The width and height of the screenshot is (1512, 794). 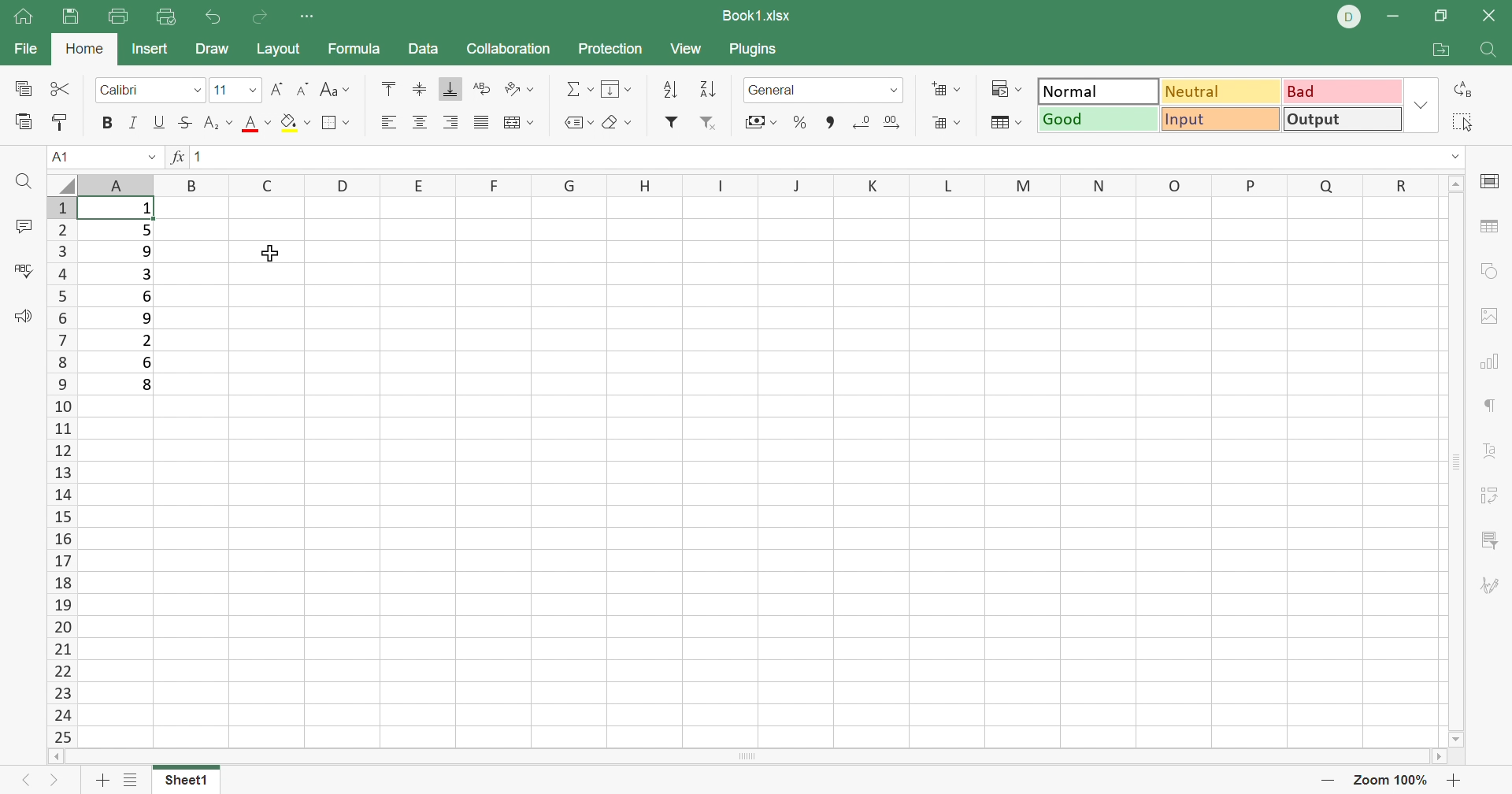 What do you see at coordinates (146, 276) in the screenshot?
I see `3` at bounding box center [146, 276].